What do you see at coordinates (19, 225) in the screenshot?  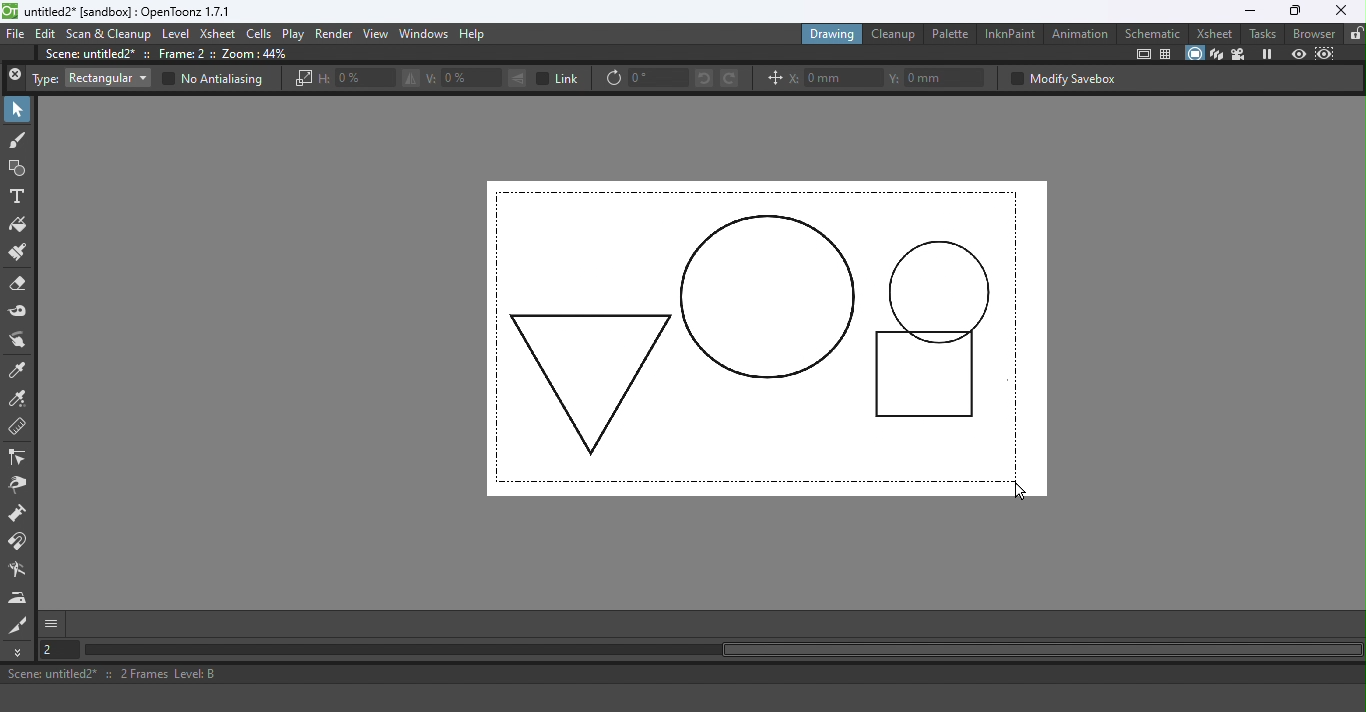 I see `Fill tool` at bounding box center [19, 225].